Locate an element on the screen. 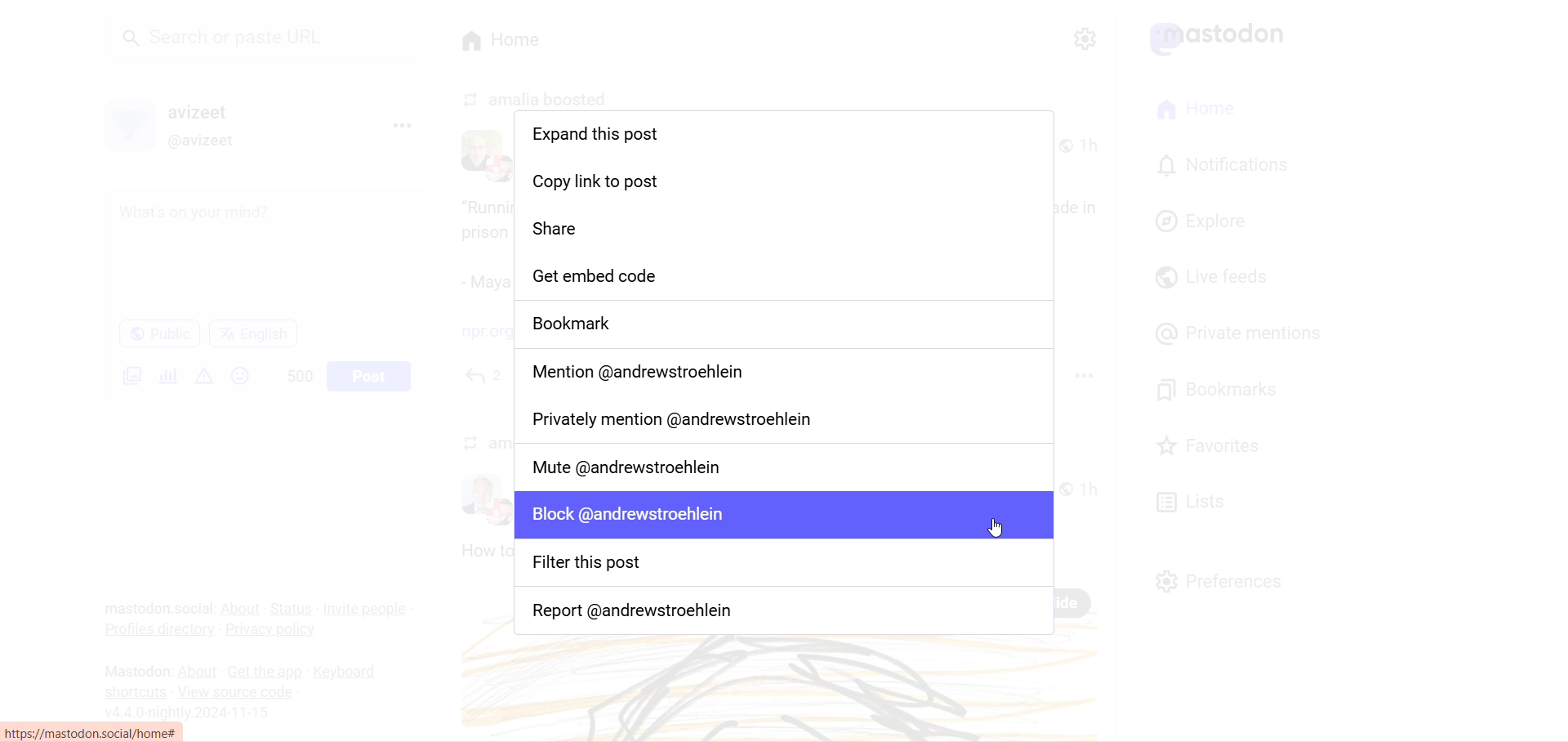  Mute User is located at coordinates (786, 468).